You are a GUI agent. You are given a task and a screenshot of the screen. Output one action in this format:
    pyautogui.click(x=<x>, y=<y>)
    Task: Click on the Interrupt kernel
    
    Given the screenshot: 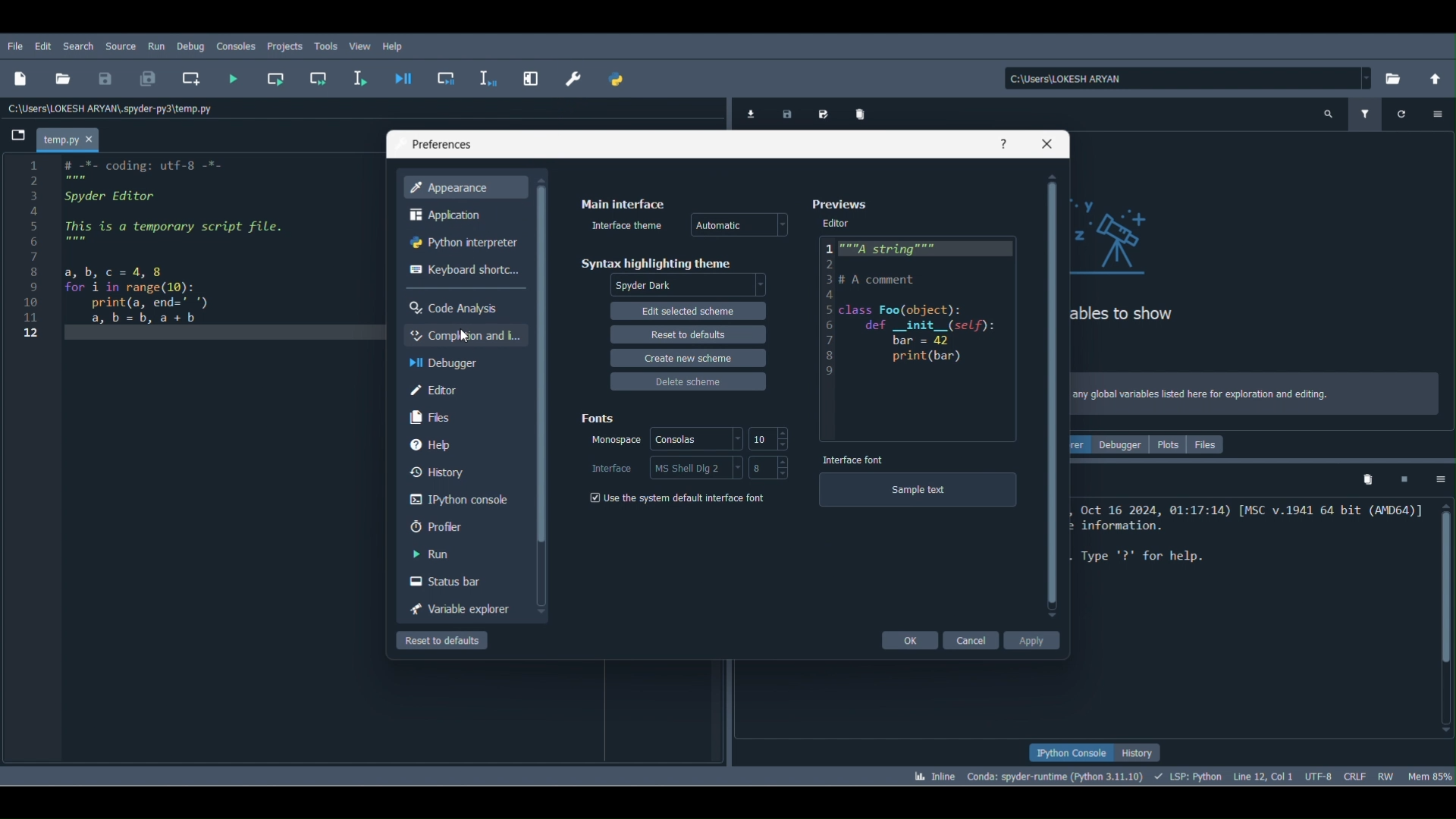 What is the action you would take?
    pyautogui.click(x=1406, y=478)
    